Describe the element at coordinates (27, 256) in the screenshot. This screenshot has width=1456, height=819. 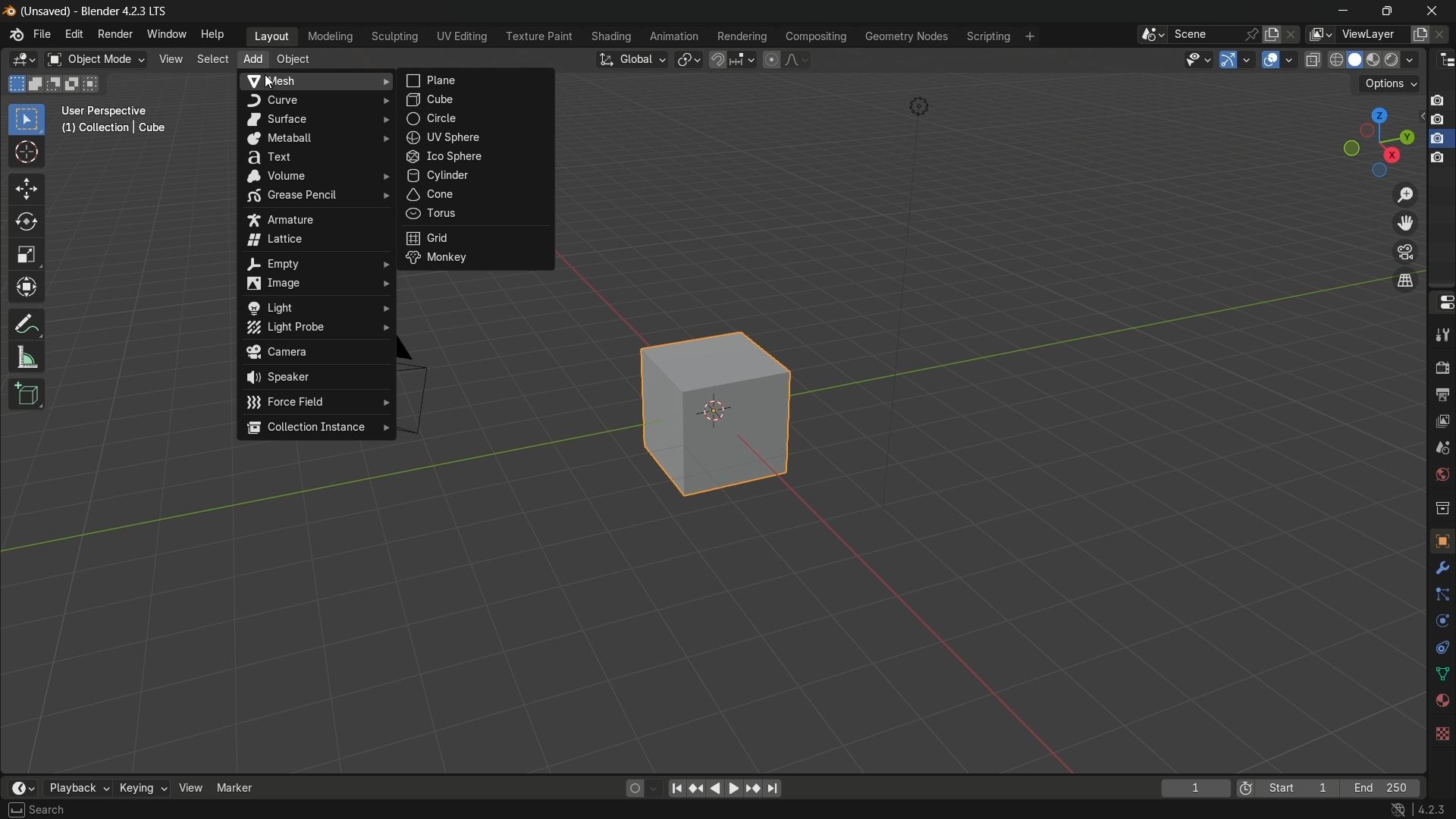
I see `scale` at that location.